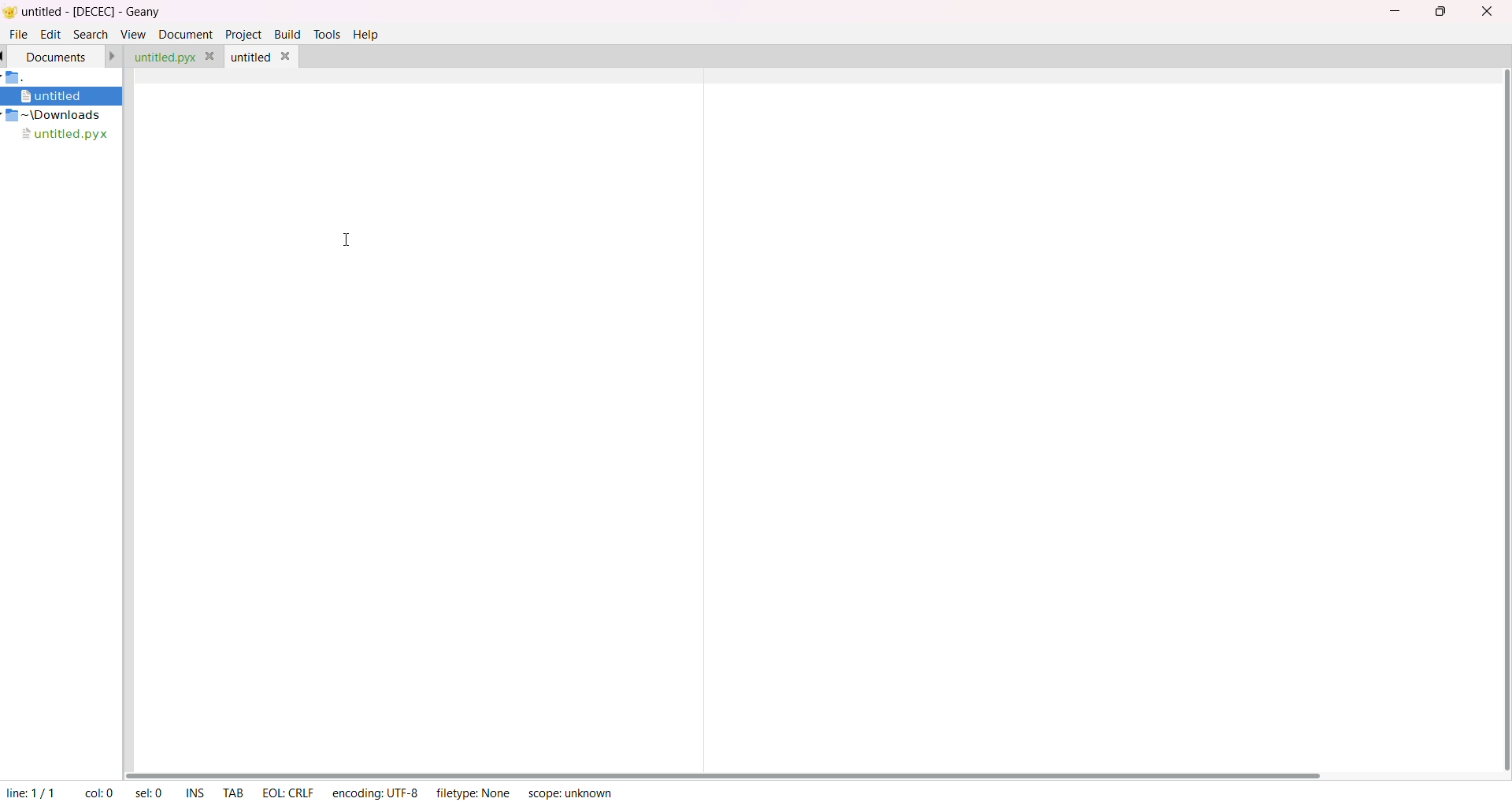  I want to click on code area, so click(814, 426).